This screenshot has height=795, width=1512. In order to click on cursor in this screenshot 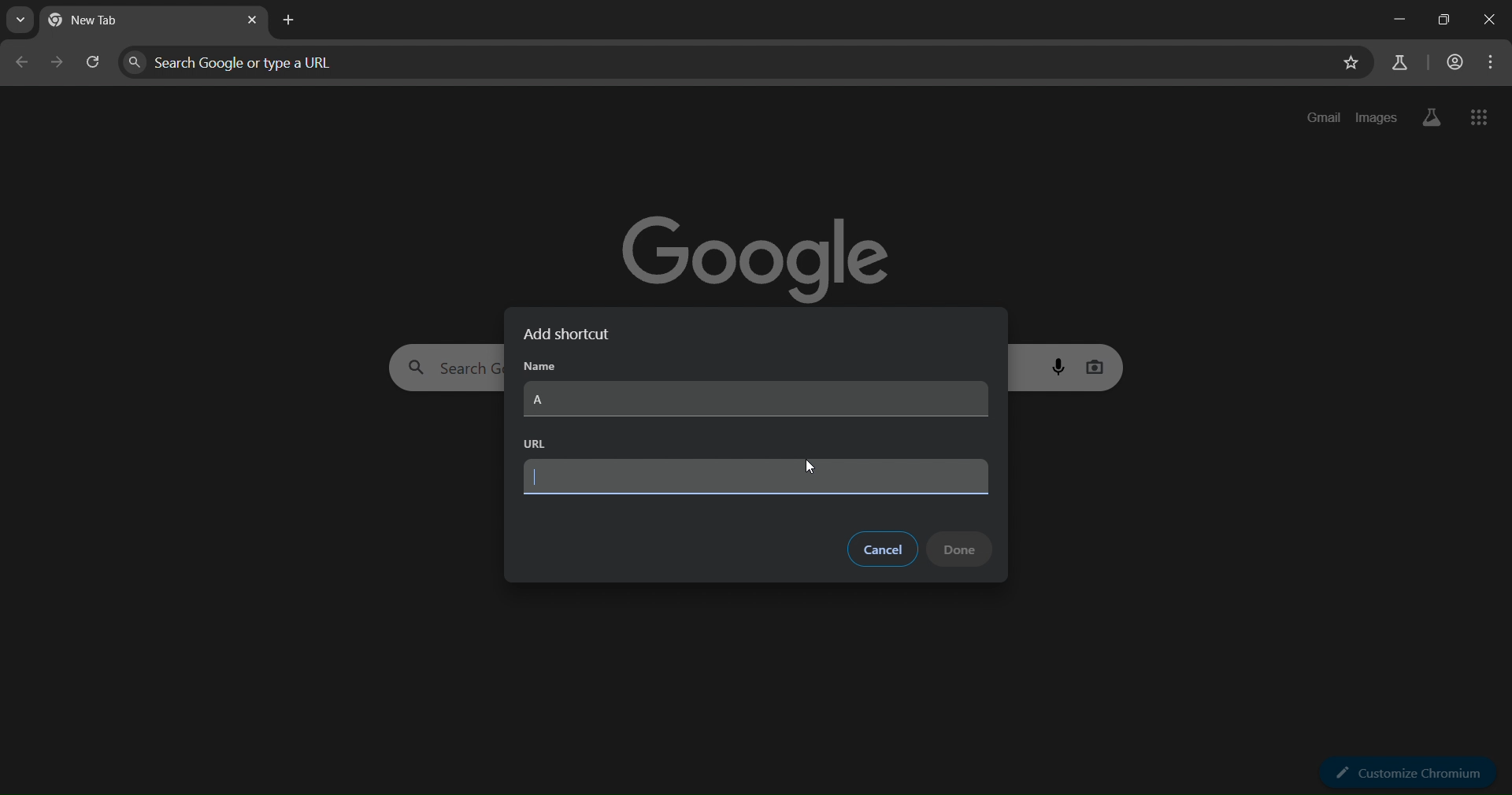, I will do `click(810, 468)`.